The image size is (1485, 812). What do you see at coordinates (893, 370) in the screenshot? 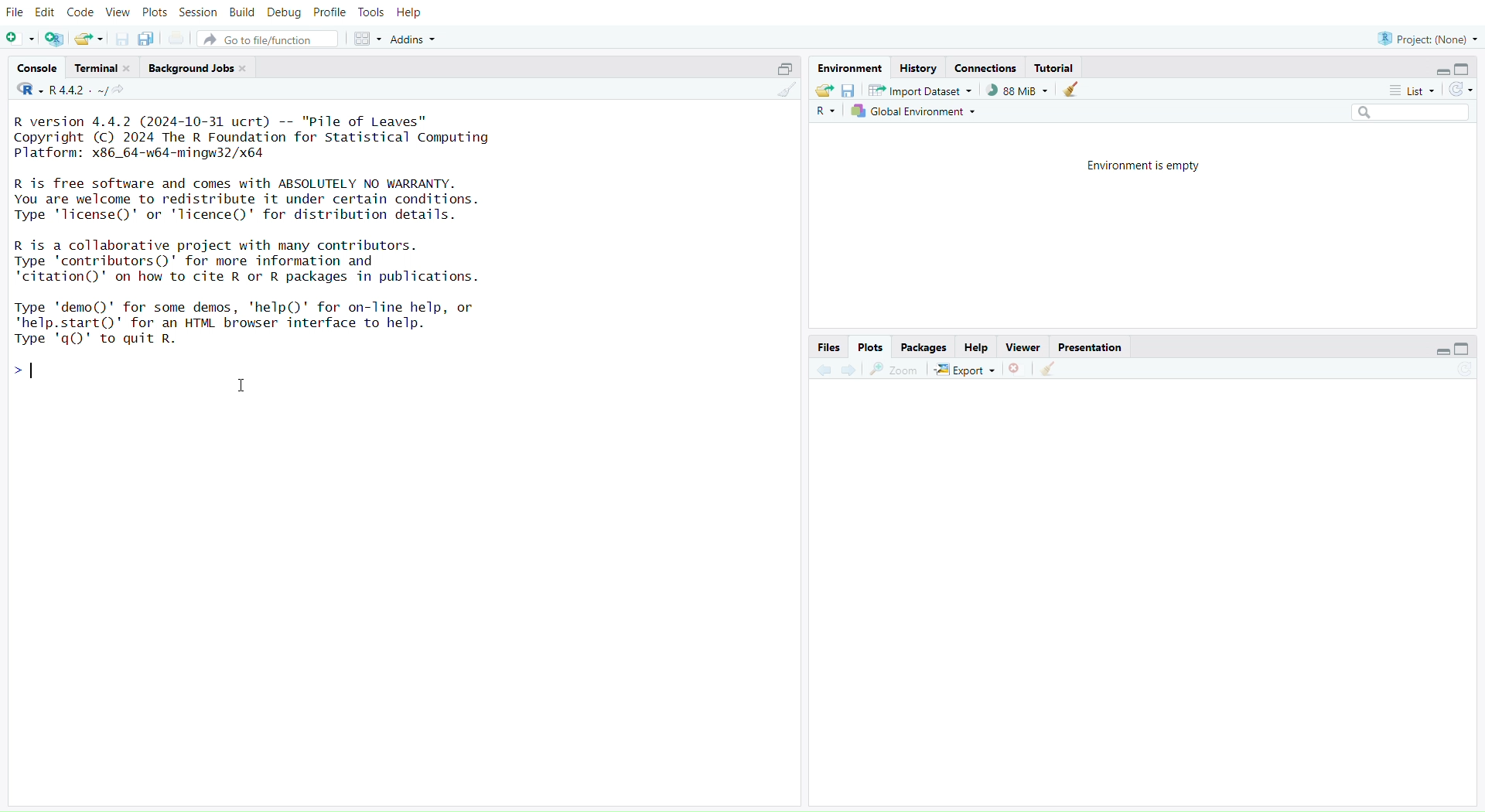
I see `zoom` at bounding box center [893, 370].